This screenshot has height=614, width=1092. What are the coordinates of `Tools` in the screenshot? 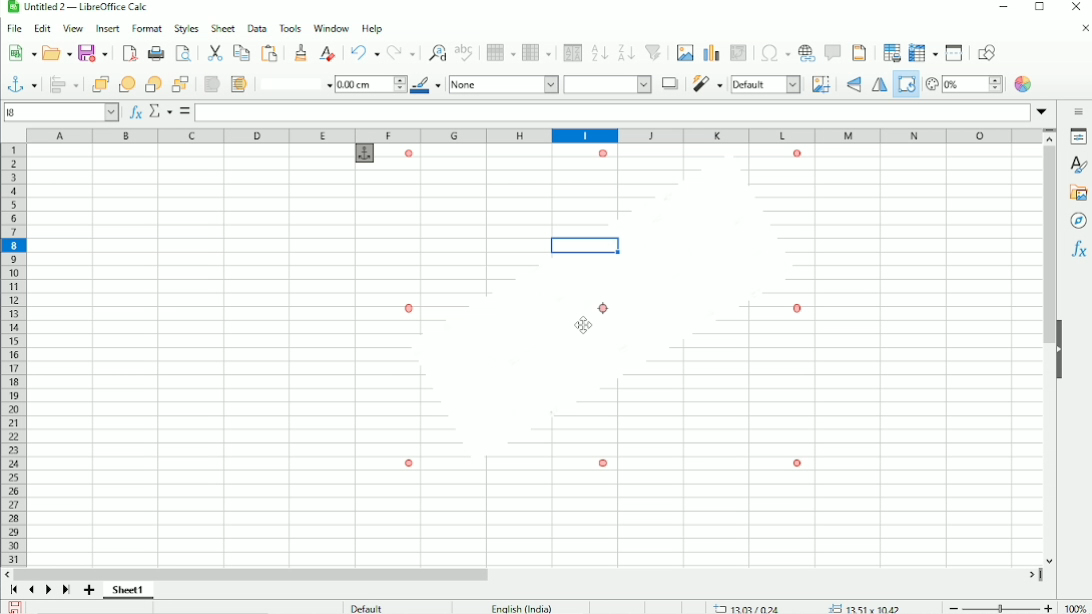 It's located at (291, 29).